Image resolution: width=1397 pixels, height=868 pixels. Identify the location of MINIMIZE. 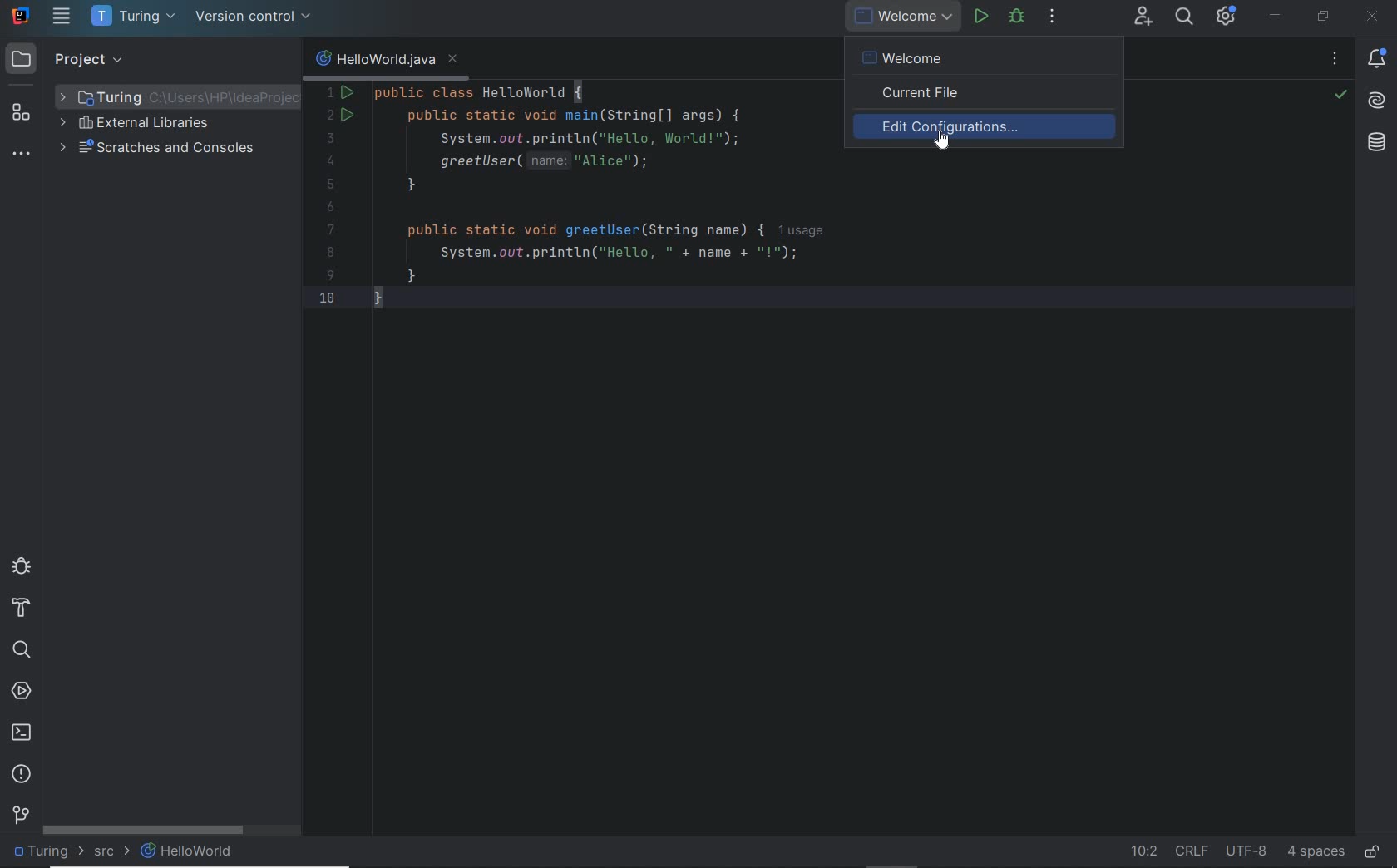
(1275, 16).